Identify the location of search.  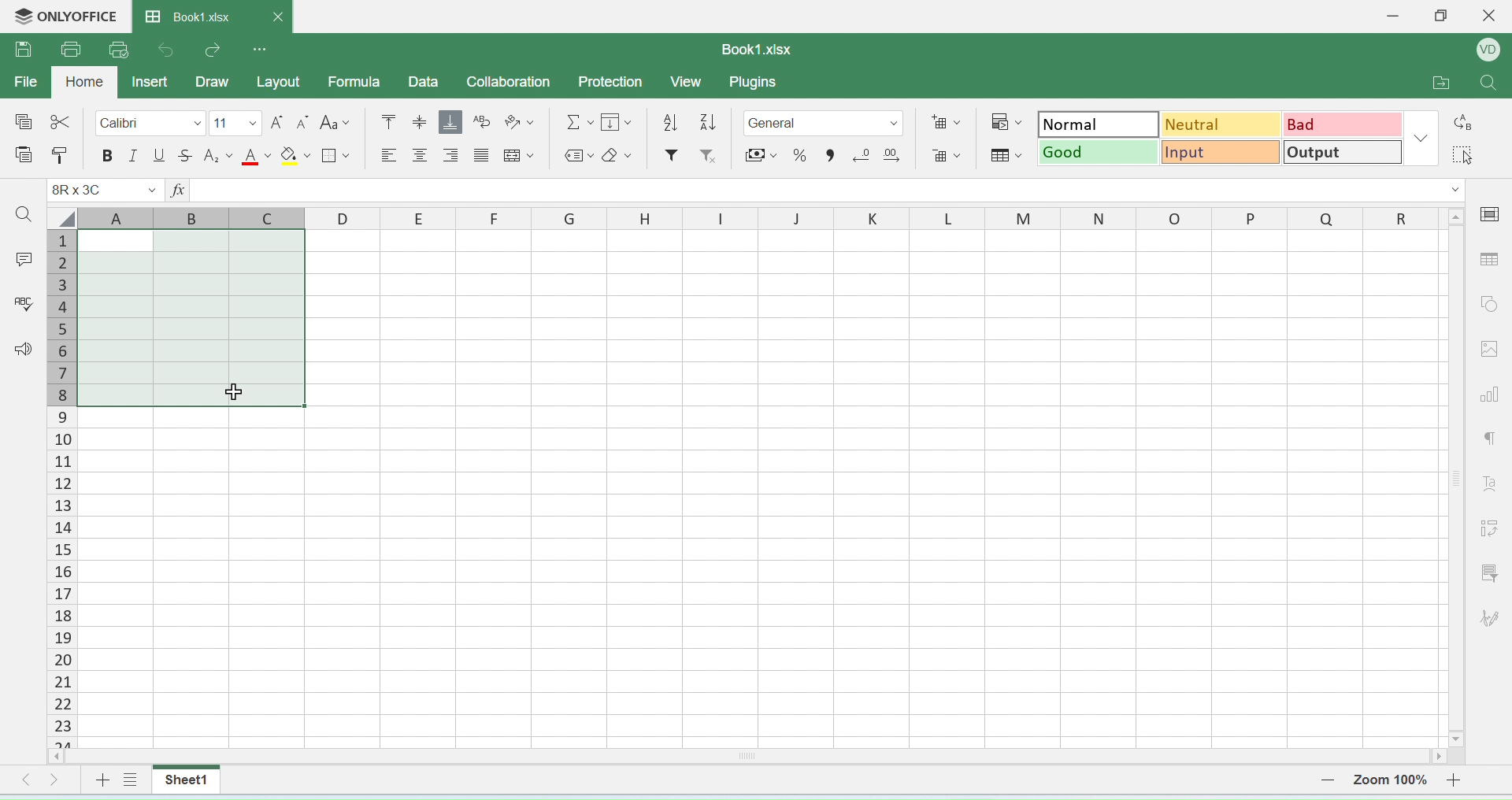
(1484, 86).